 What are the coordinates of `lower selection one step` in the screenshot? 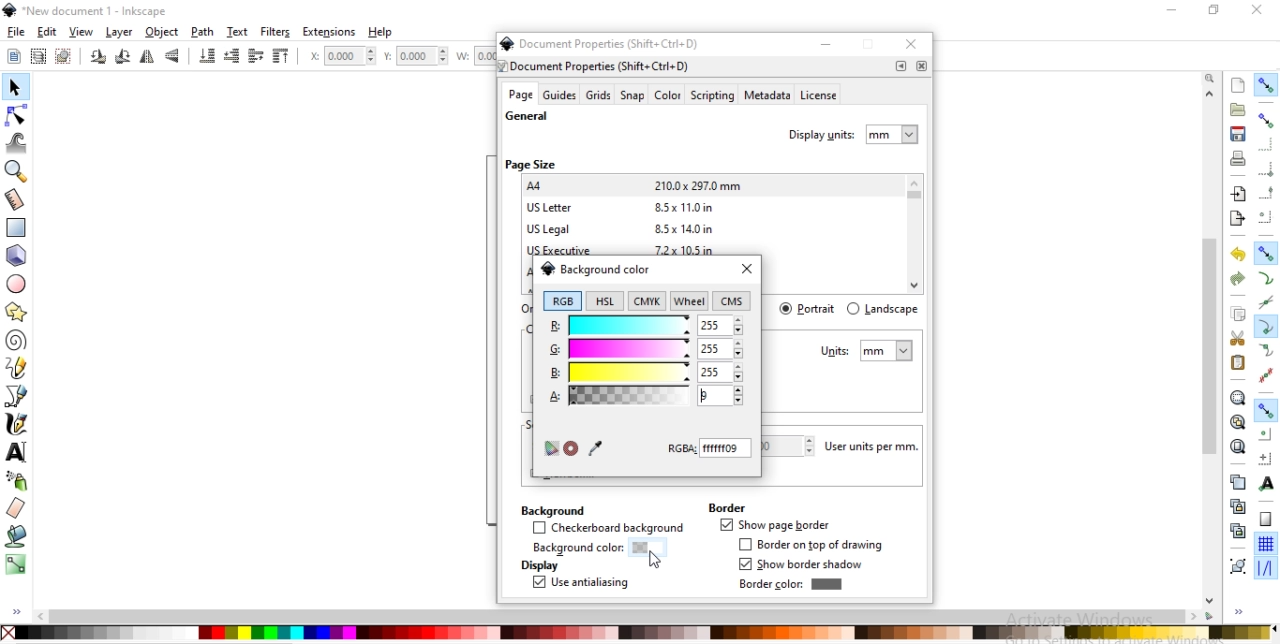 It's located at (231, 57).